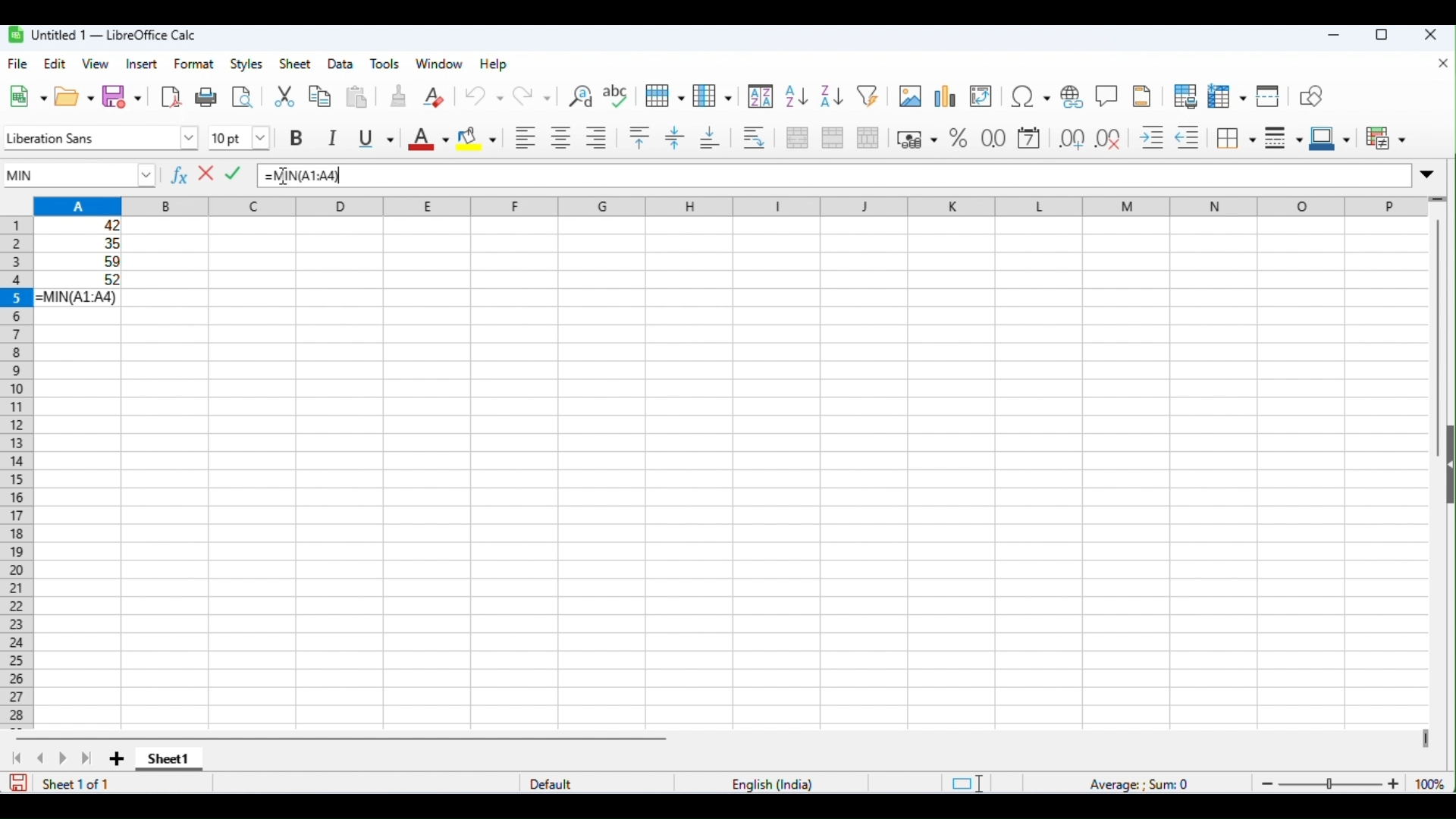  What do you see at coordinates (1072, 96) in the screenshot?
I see `insert hyperlink` at bounding box center [1072, 96].